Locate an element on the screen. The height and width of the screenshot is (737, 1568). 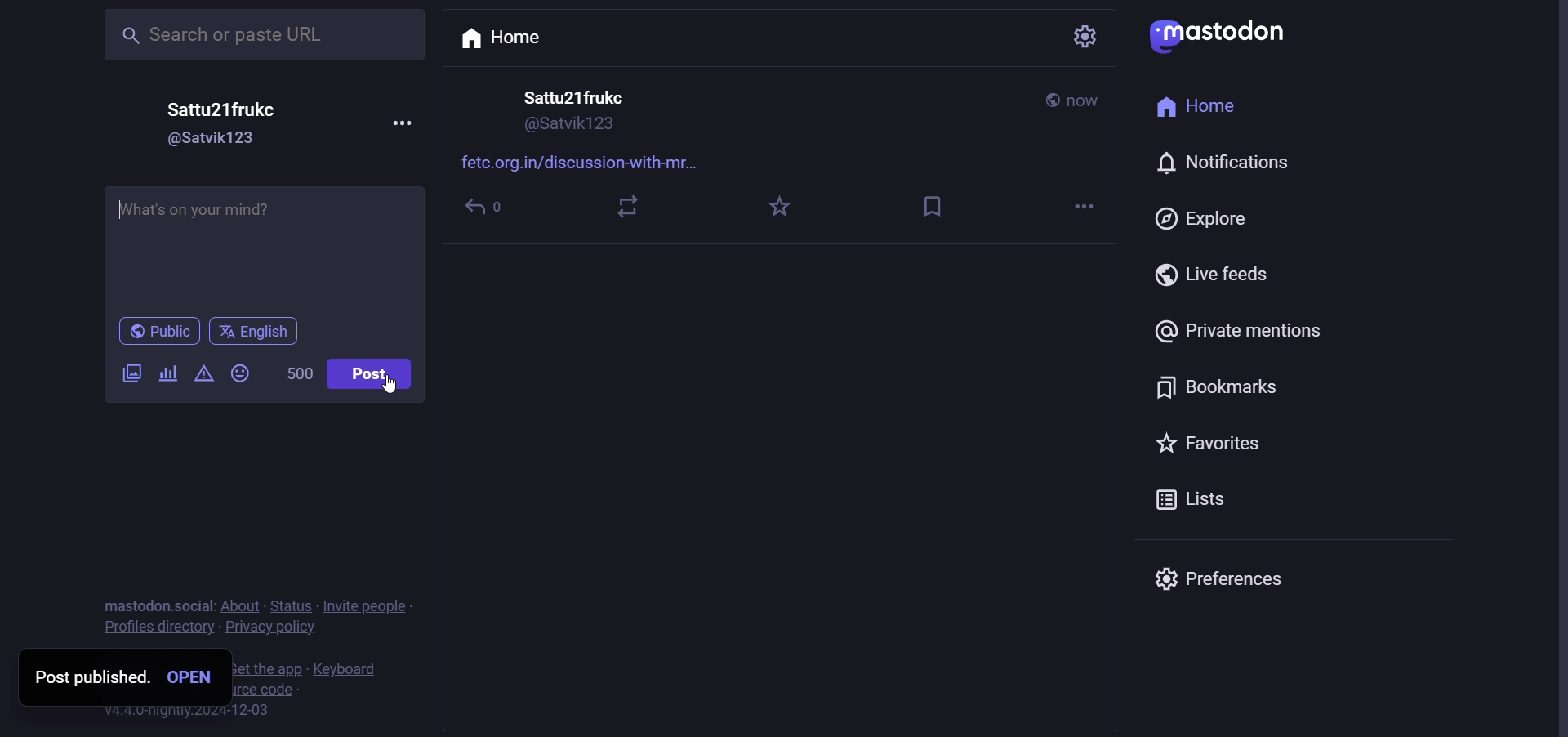
keyboard is located at coordinates (341, 670).